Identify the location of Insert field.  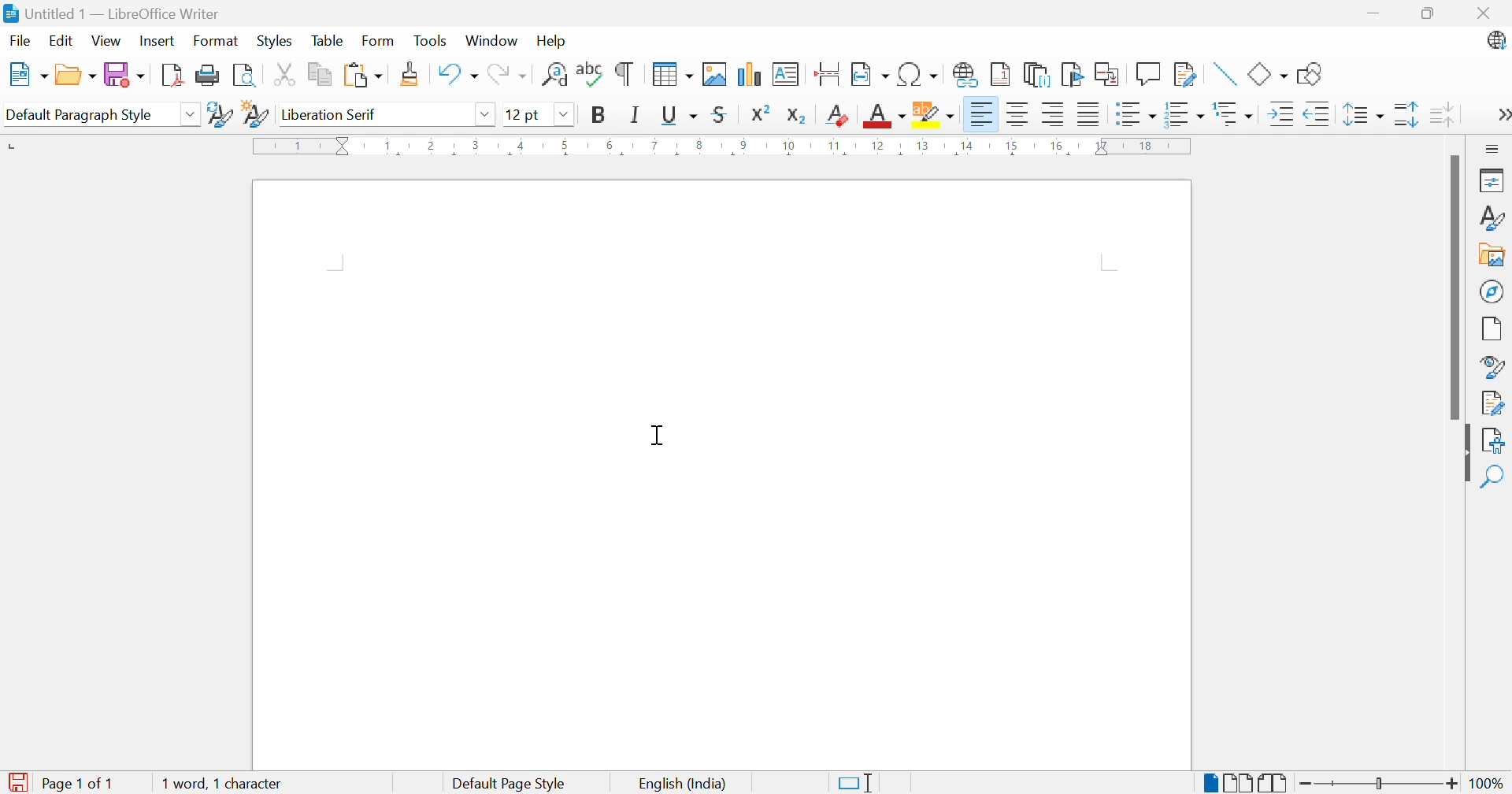
(870, 72).